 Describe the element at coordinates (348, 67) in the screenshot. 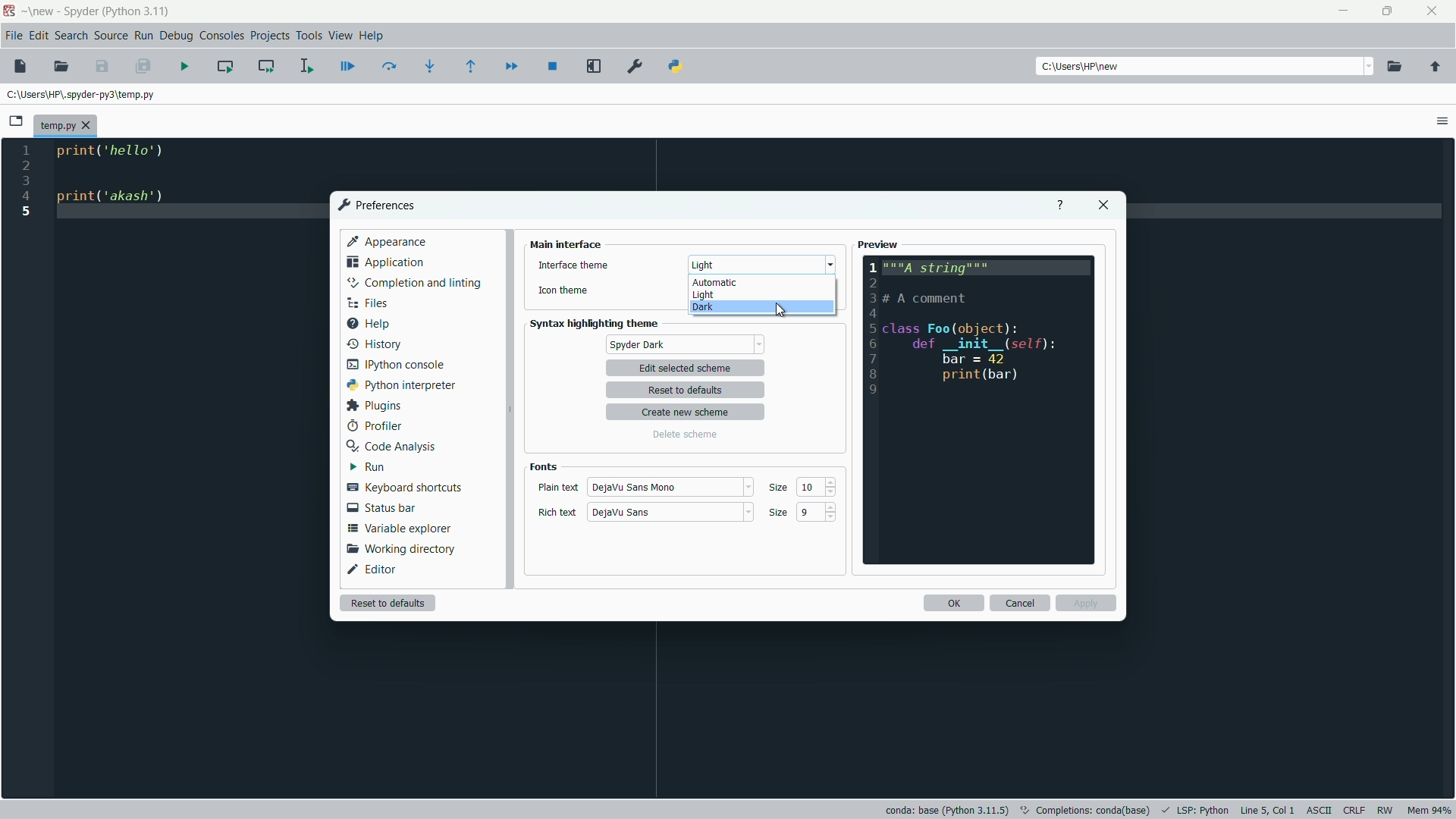

I see `debug file` at that location.